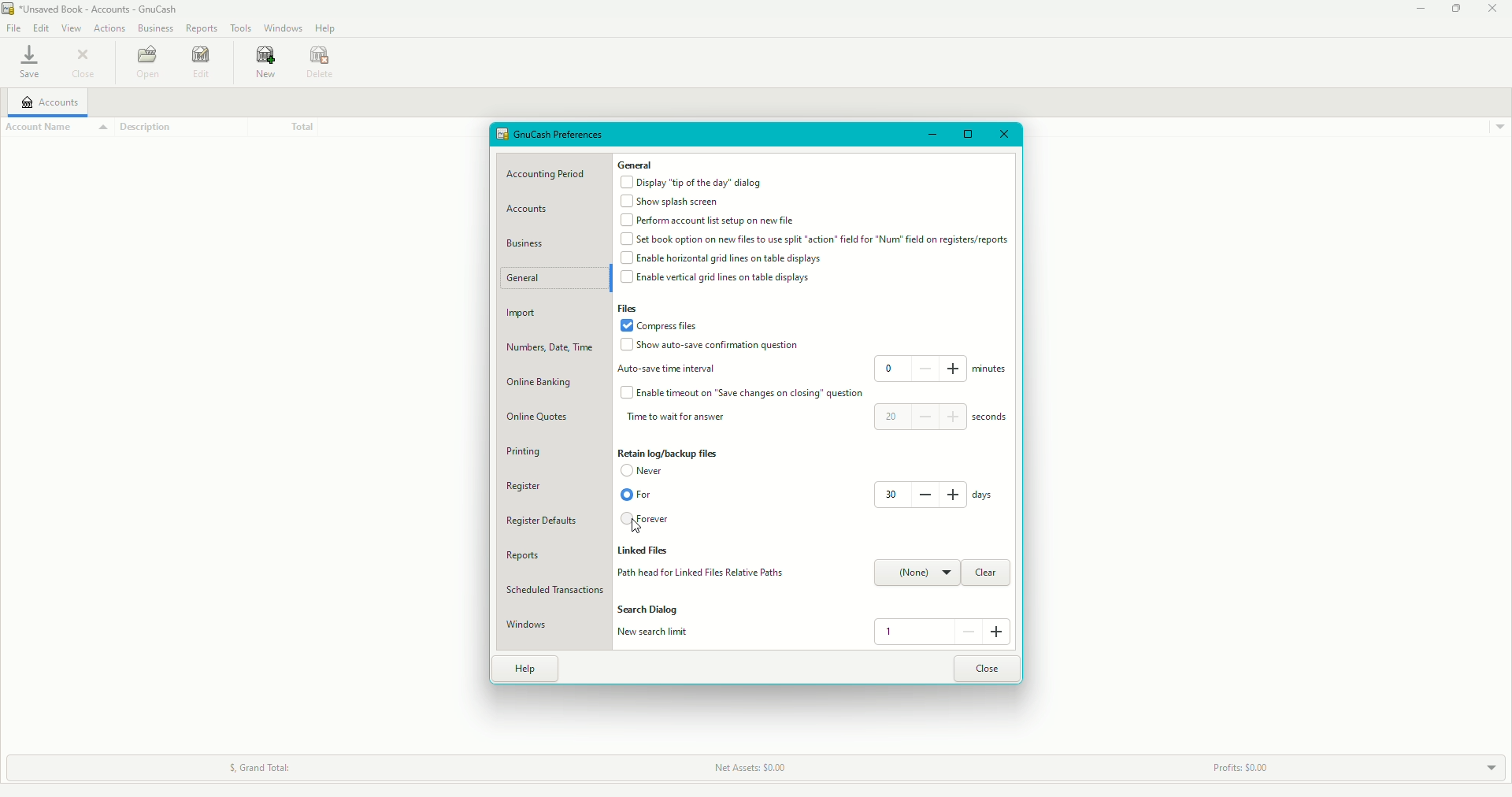 Image resolution: width=1512 pixels, height=797 pixels. I want to click on Grand Total, so click(253, 768).